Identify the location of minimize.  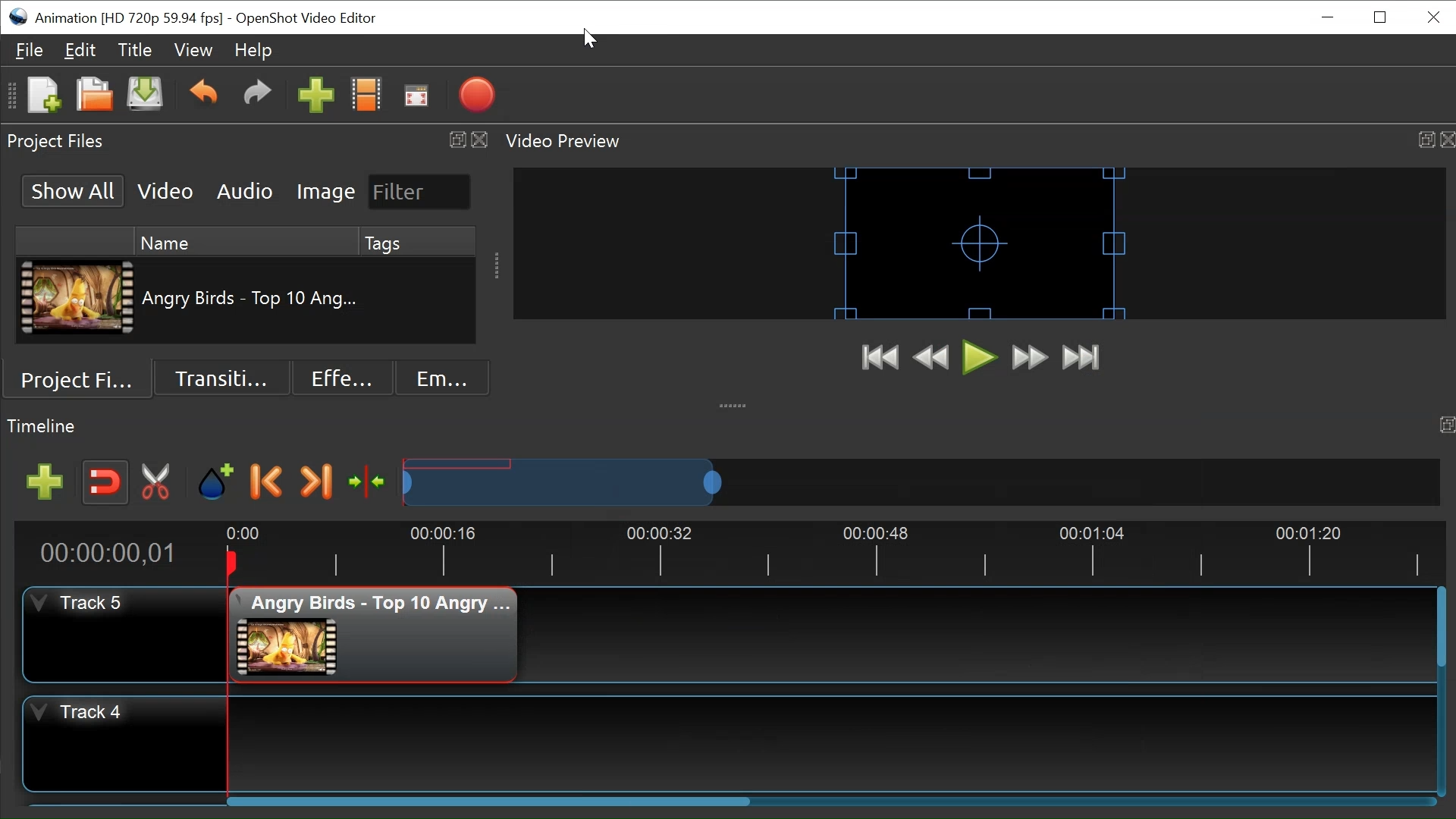
(1328, 17).